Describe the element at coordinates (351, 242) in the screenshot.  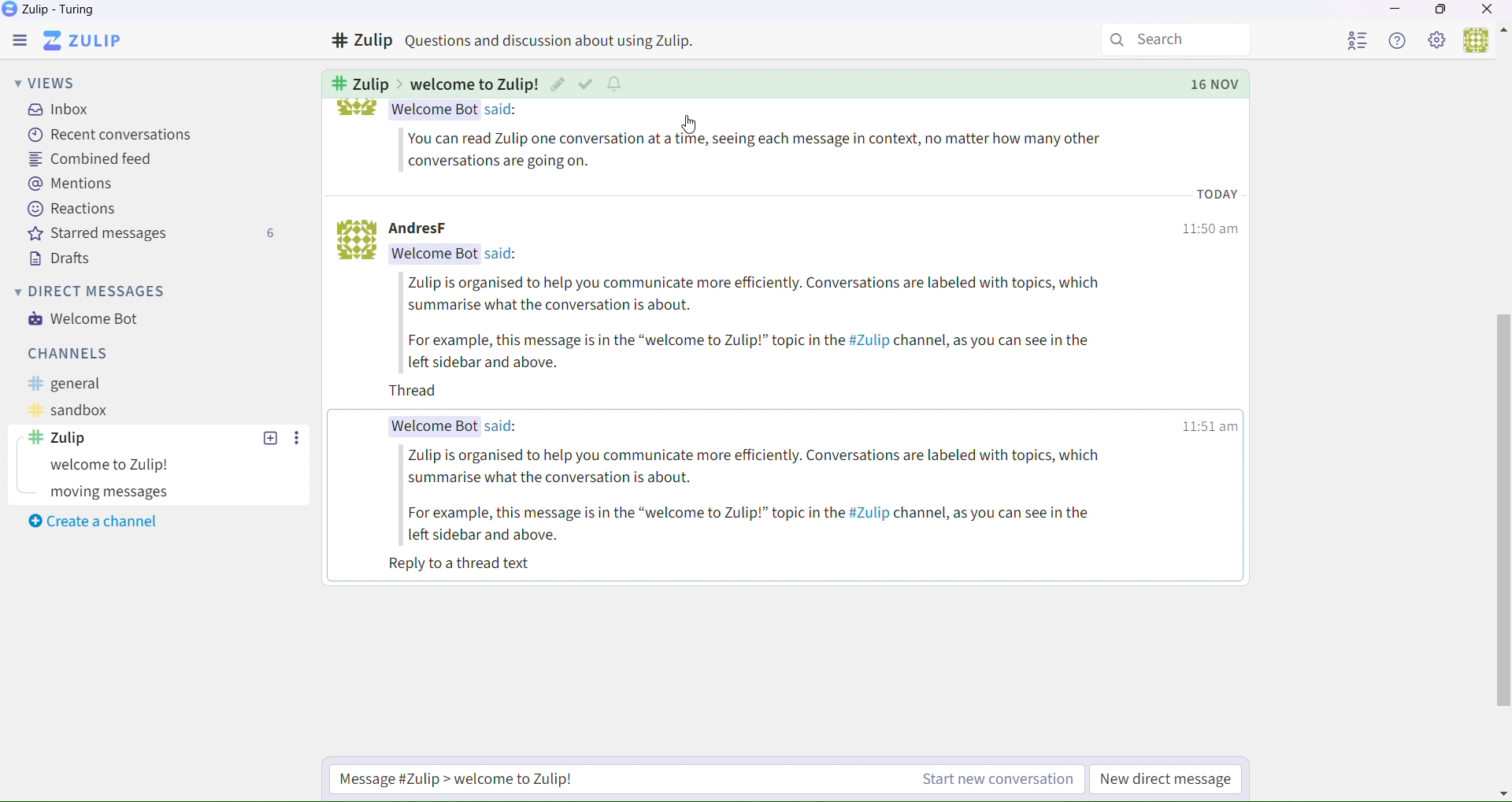
I see `logo` at that location.